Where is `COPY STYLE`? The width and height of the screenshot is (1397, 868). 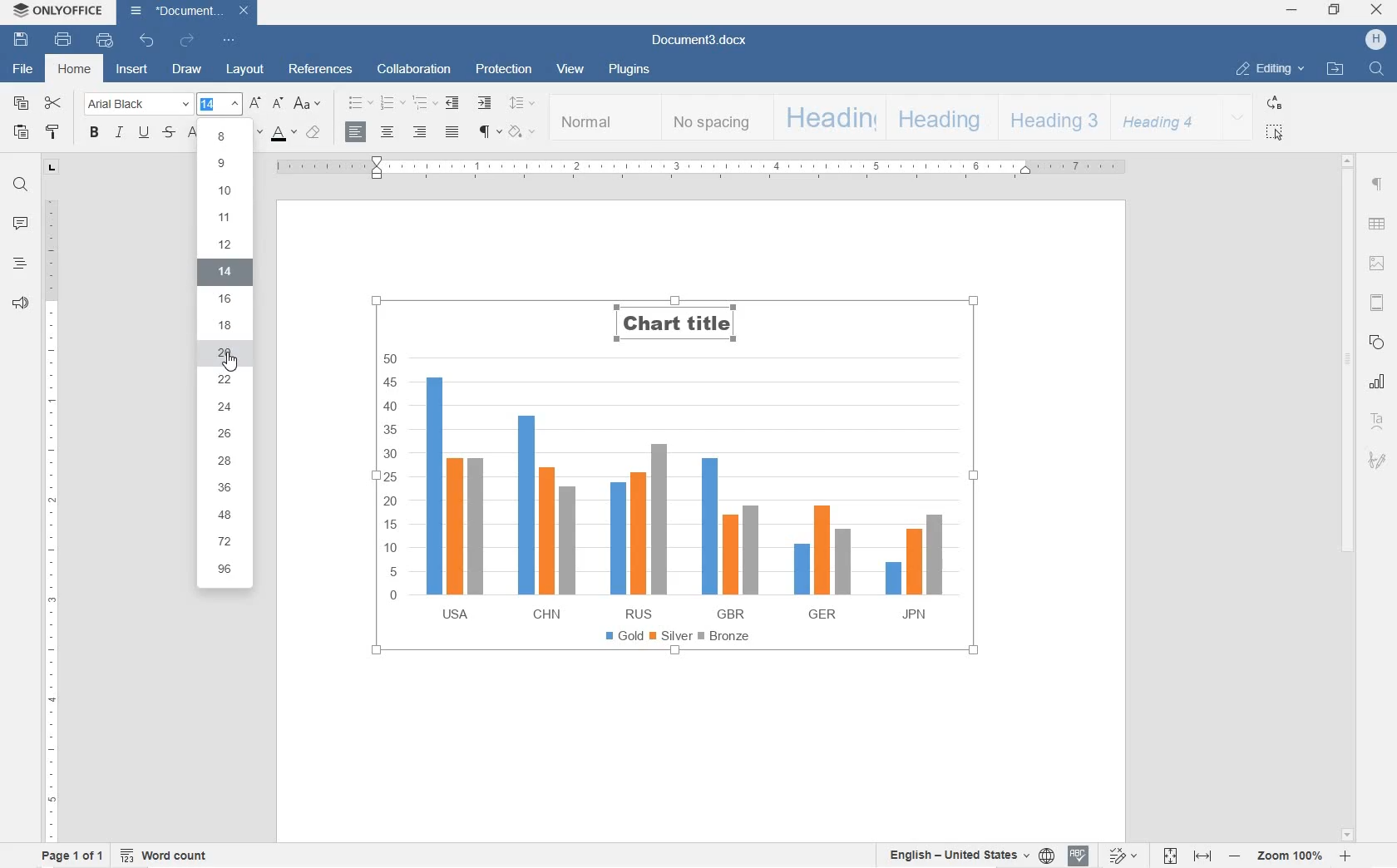
COPY STYLE is located at coordinates (53, 133).